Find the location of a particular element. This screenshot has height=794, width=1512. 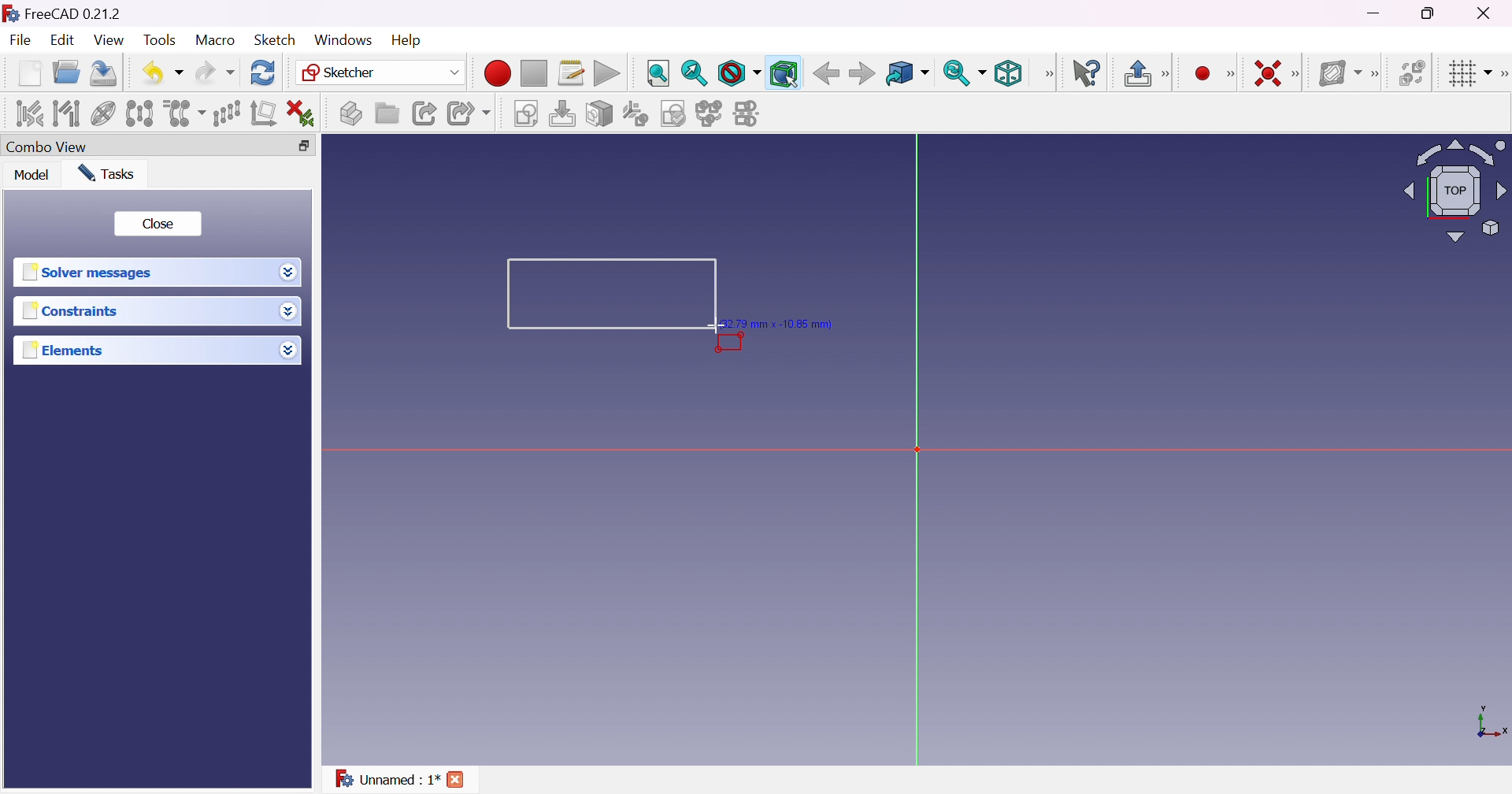

Edit is located at coordinates (63, 40).